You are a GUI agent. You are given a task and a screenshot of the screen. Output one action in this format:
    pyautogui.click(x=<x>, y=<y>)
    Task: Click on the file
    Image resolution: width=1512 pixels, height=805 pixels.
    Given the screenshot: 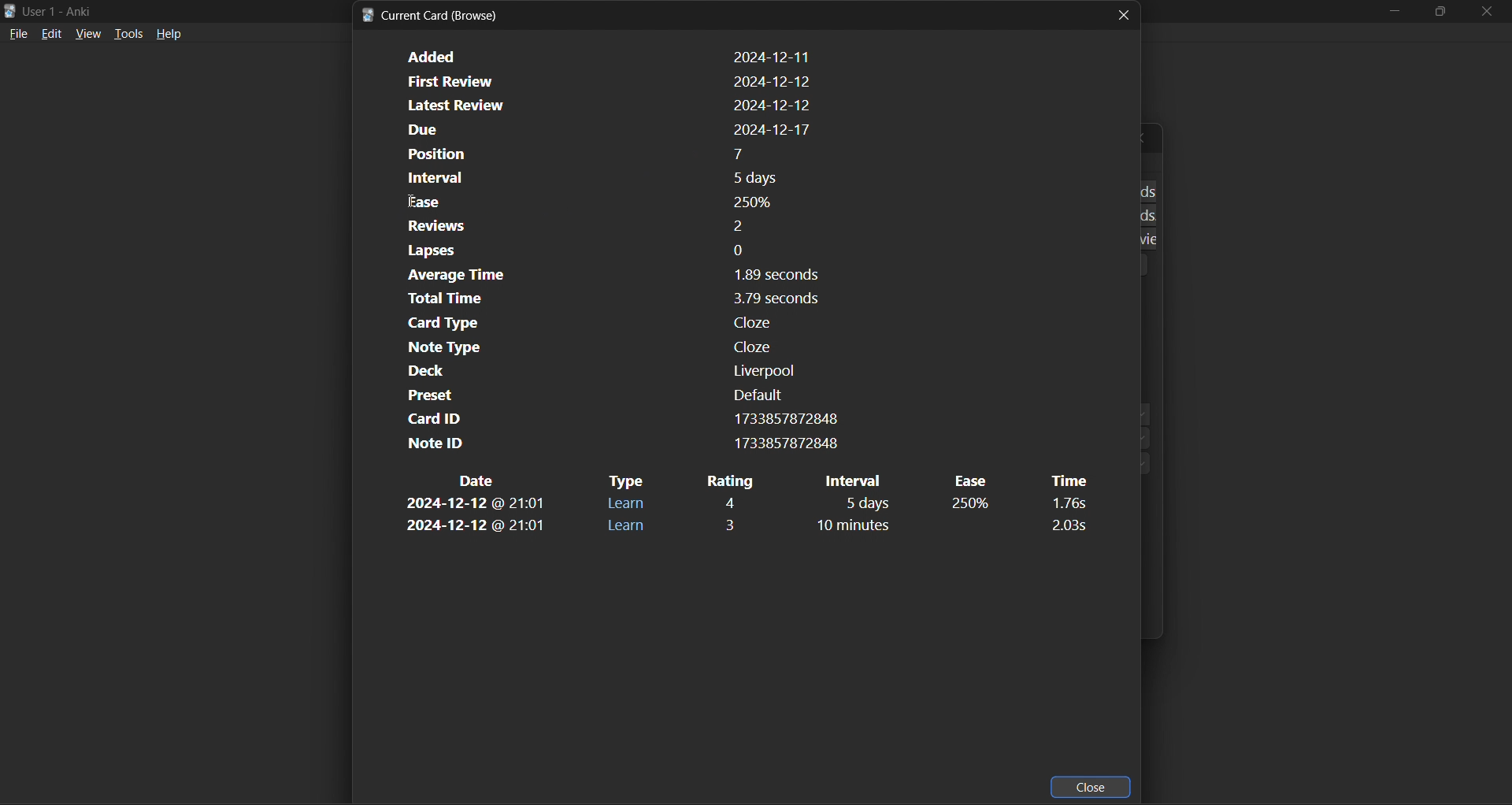 What is the action you would take?
    pyautogui.click(x=19, y=35)
    